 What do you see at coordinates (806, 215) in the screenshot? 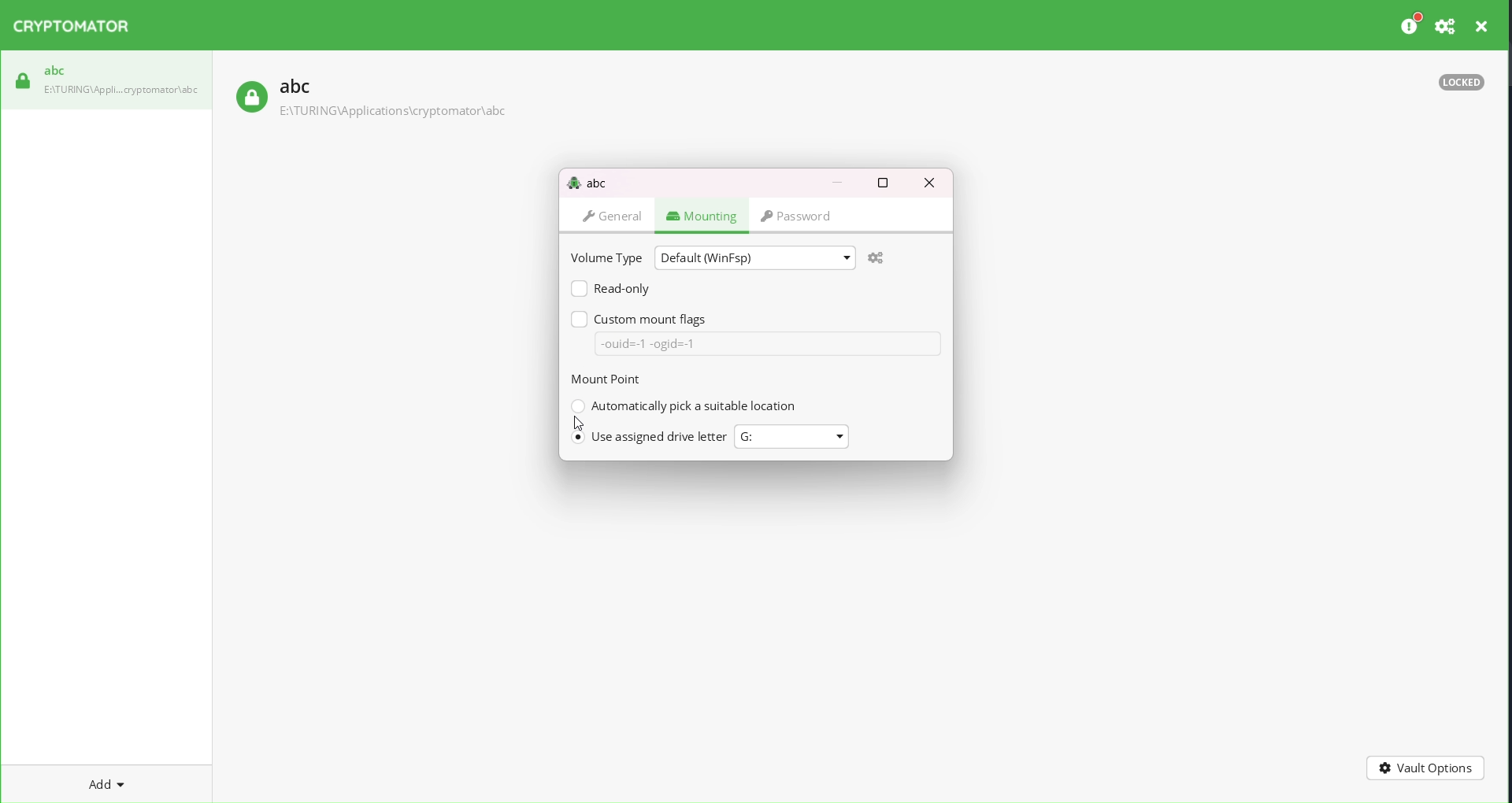
I see `password` at bounding box center [806, 215].